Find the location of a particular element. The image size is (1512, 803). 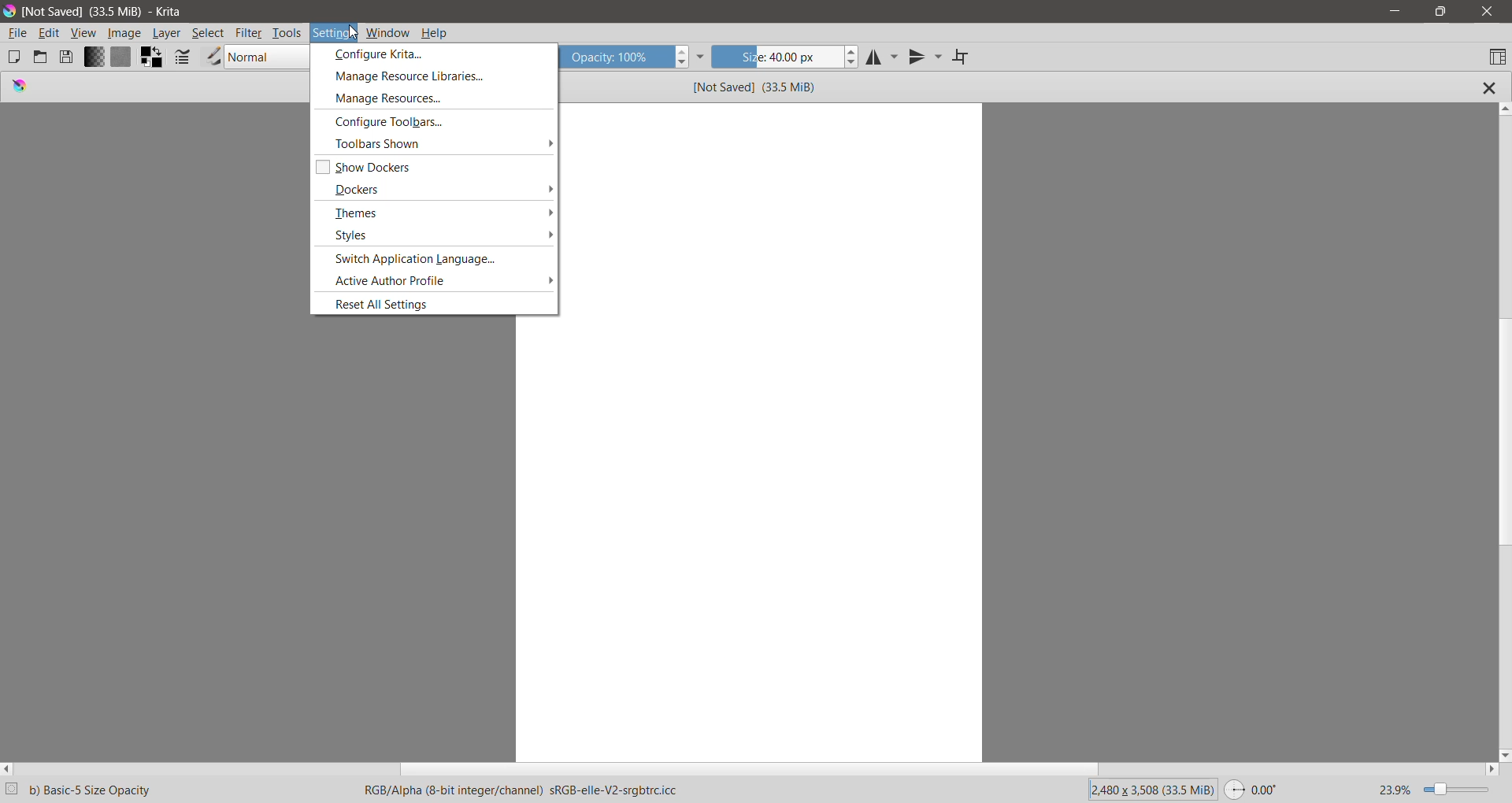

Edit brush settings is located at coordinates (183, 57).